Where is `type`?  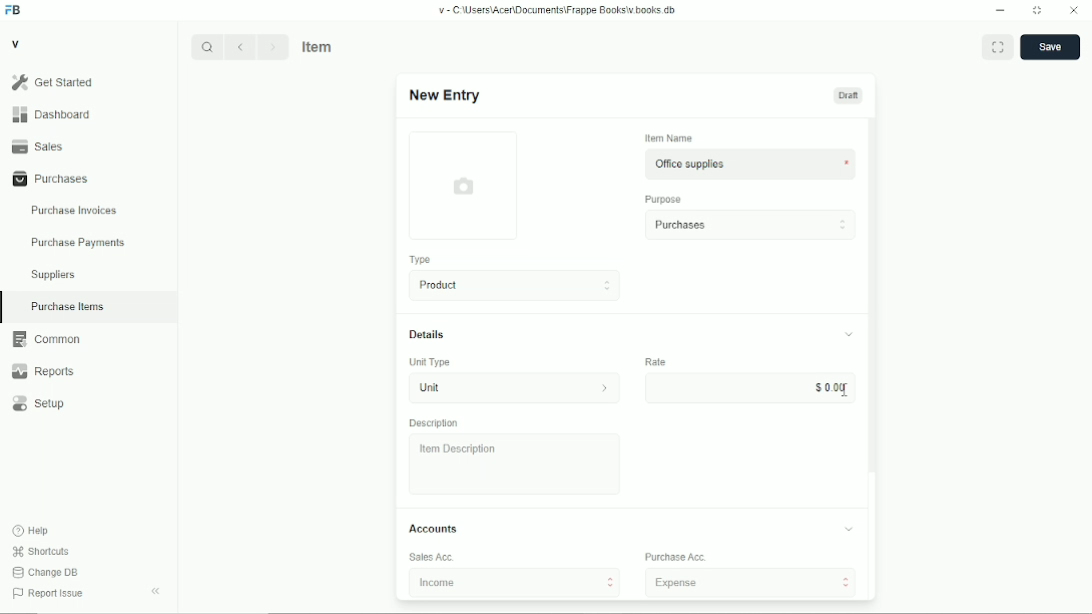 type is located at coordinates (422, 260).